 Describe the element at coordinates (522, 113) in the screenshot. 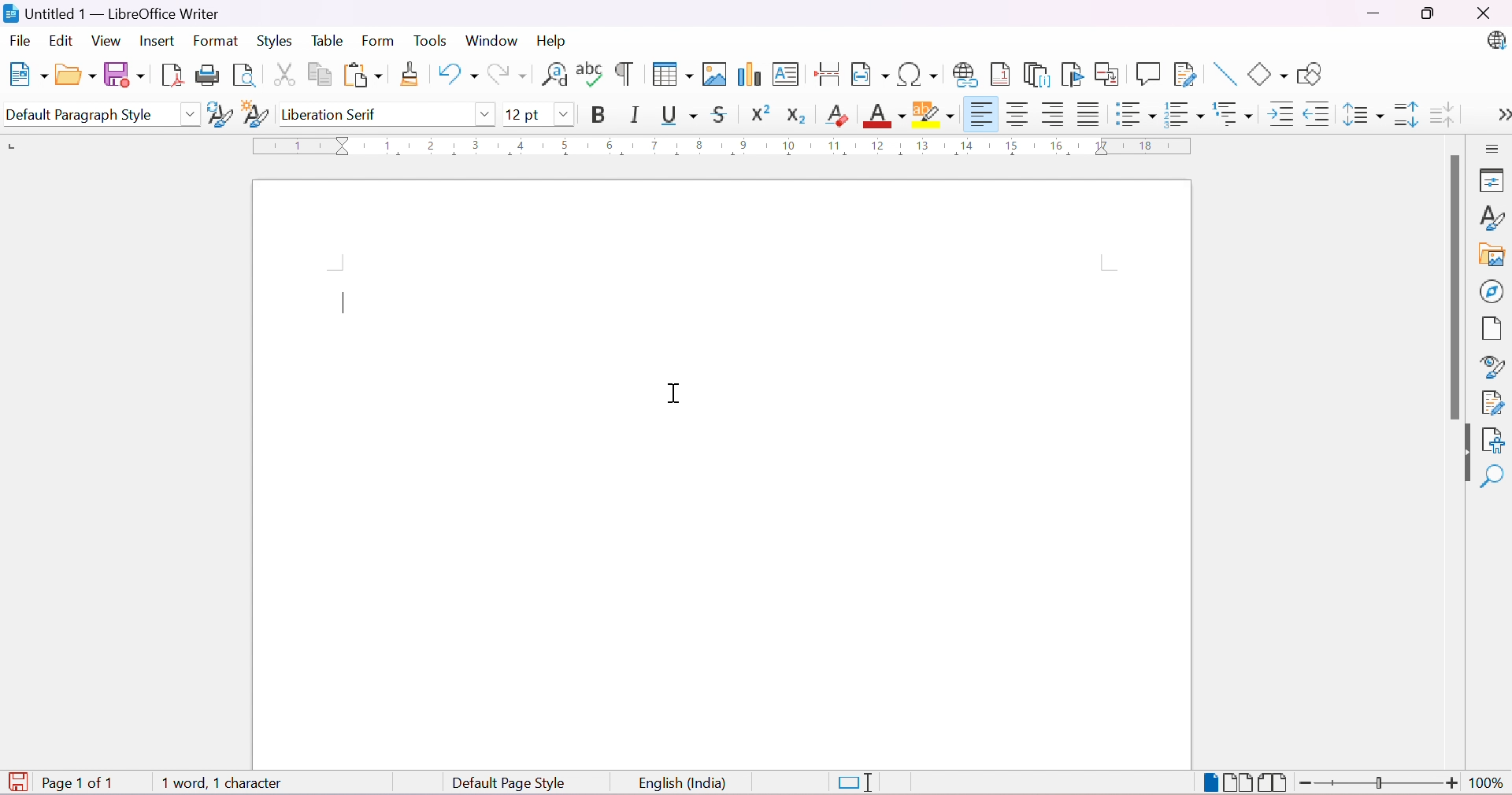

I see `12 pt` at that location.